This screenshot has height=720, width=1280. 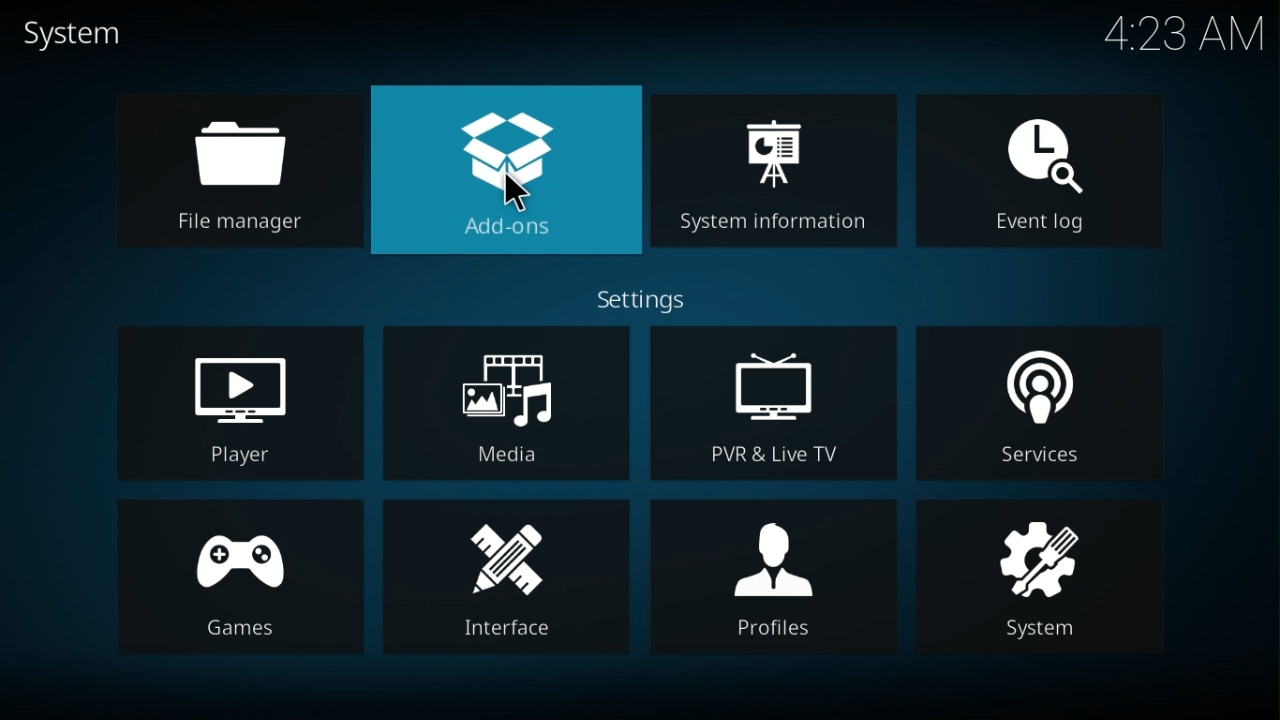 What do you see at coordinates (517, 194) in the screenshot?
I see `cursor` at bounding box center [517, 194].